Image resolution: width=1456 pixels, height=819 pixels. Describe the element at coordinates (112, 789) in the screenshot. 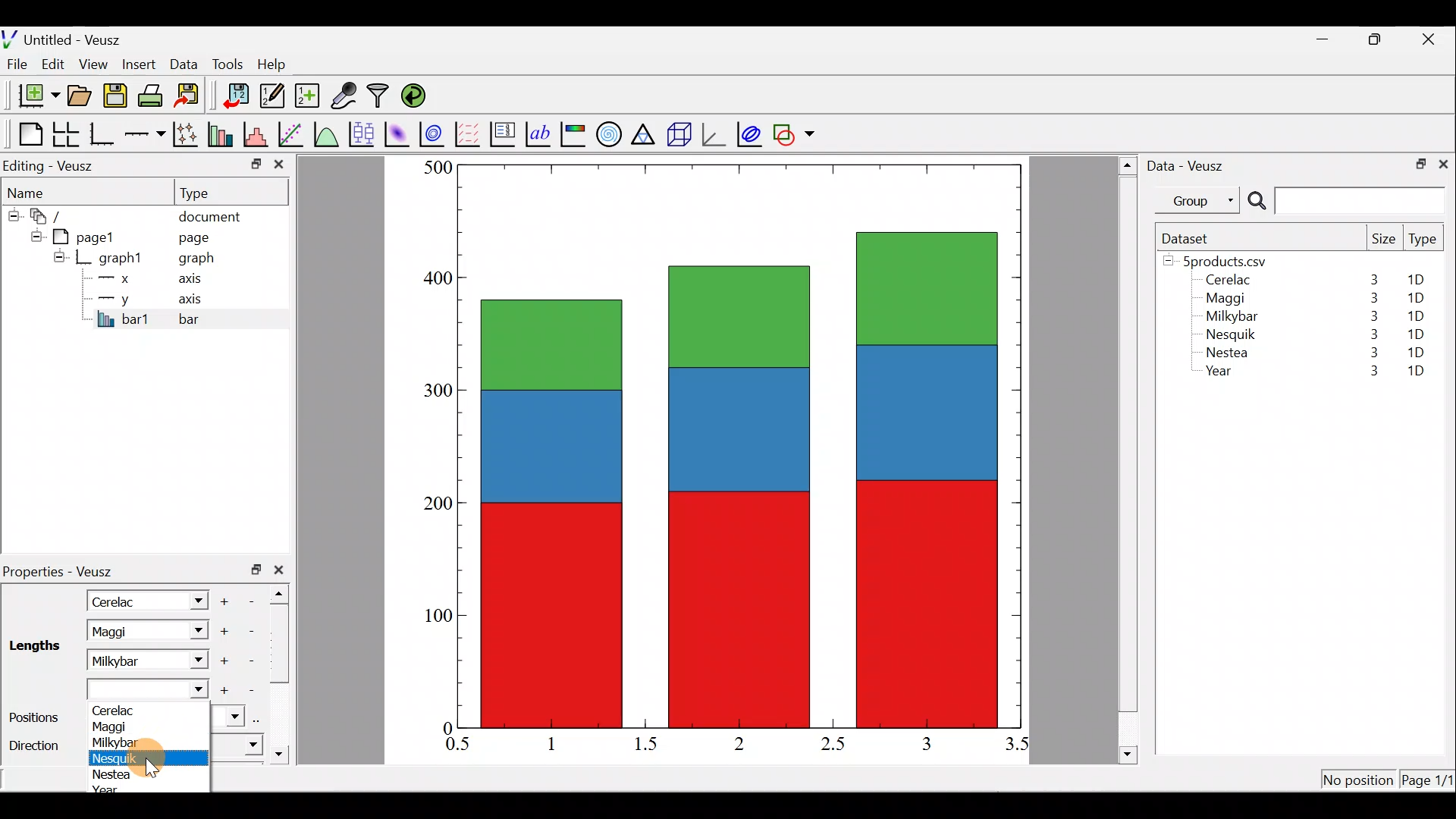

I see `Year` at that location.